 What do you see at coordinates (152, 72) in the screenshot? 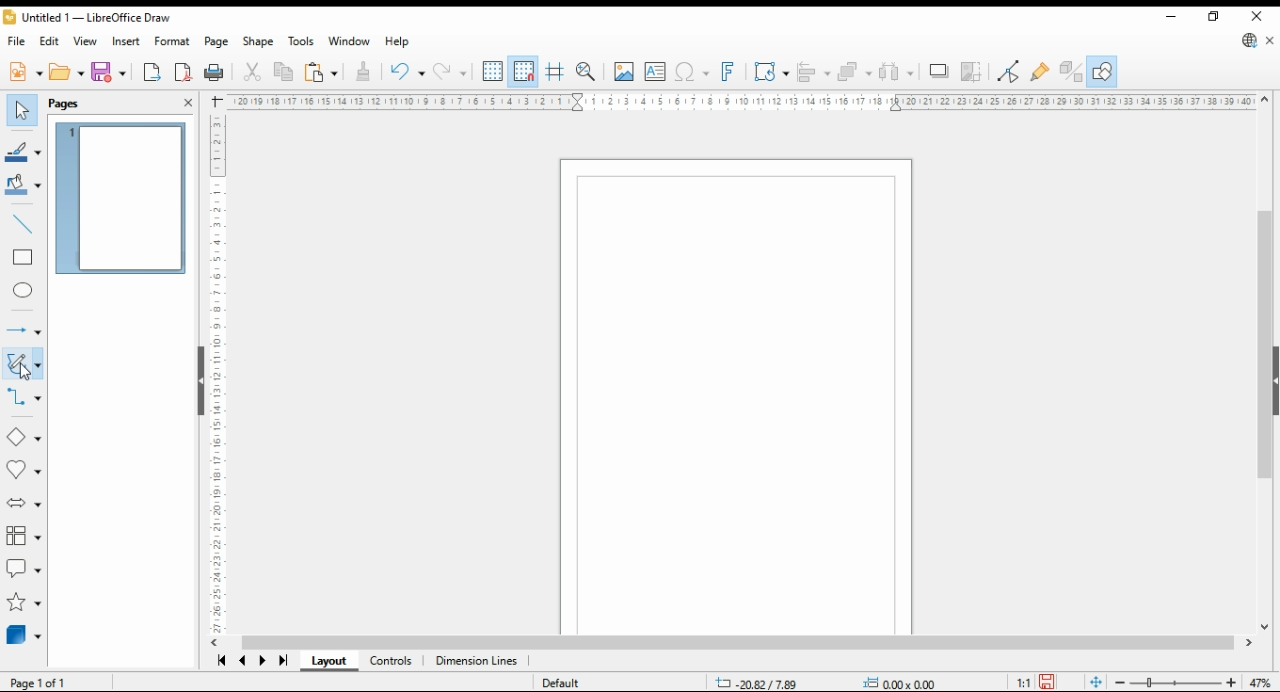
I see `export` at bounding box center [152, 72].